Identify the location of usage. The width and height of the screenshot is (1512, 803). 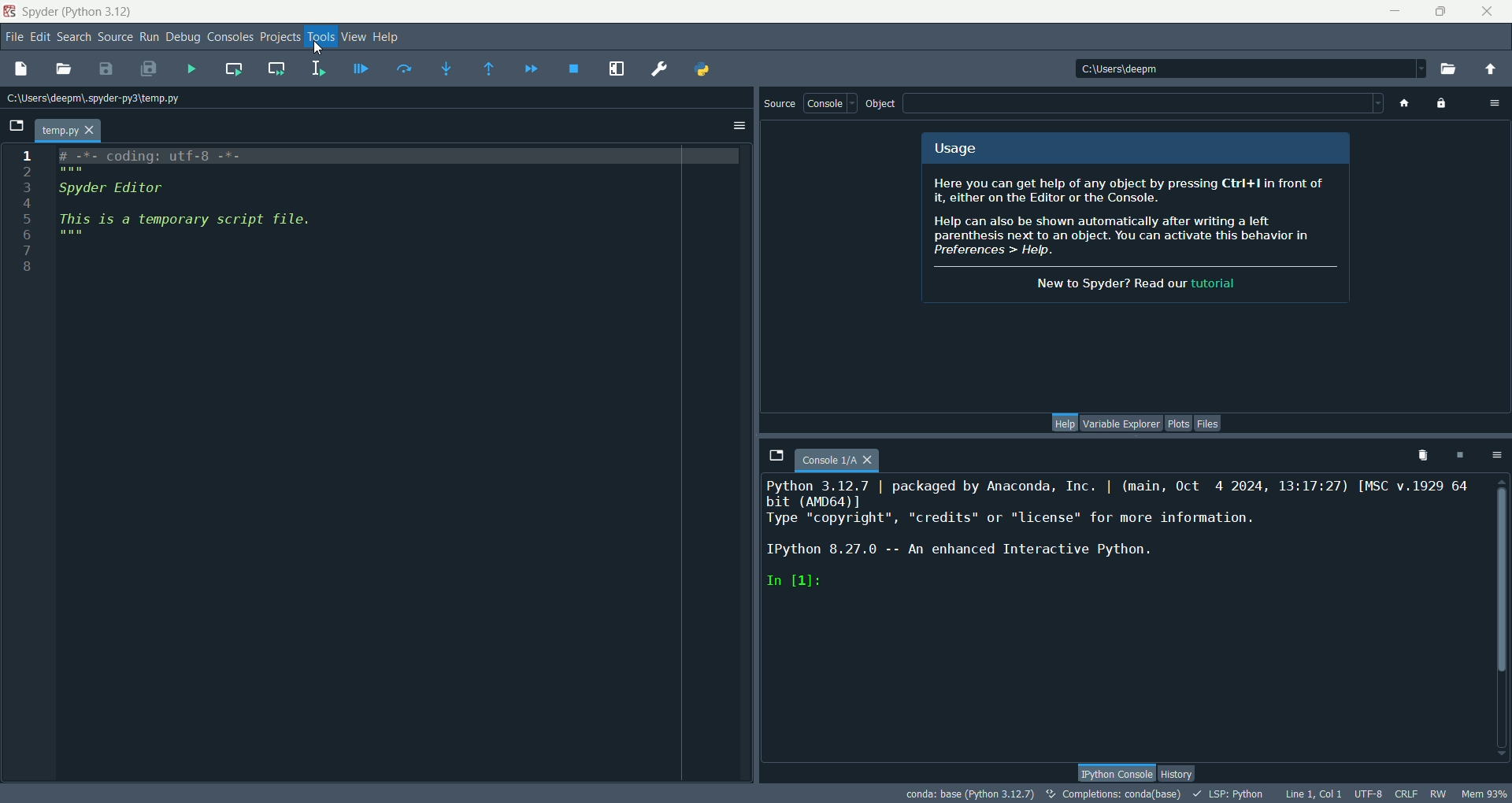
(954, 150).